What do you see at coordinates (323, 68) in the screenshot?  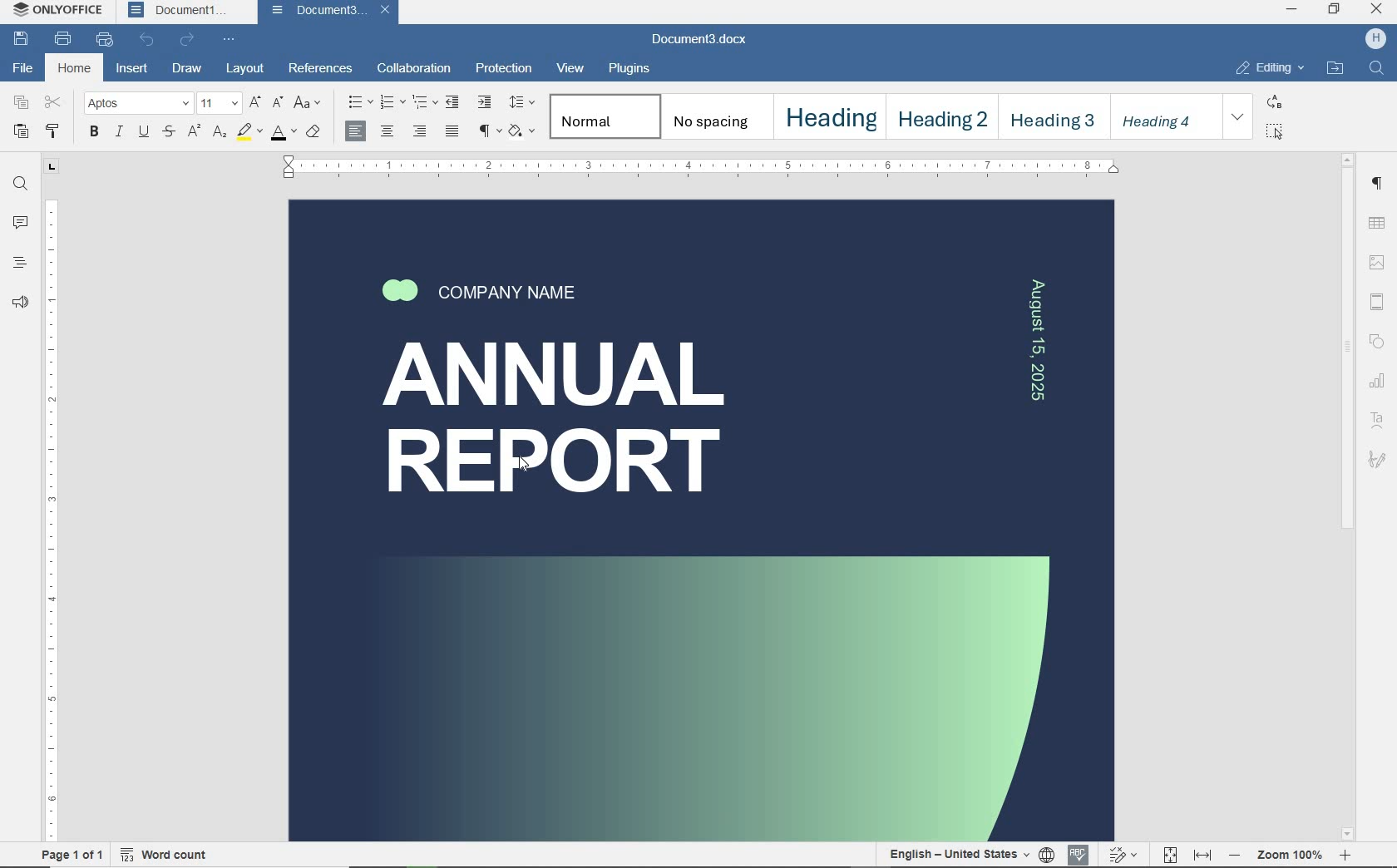 I see `references` at bounding box center [323, 68].